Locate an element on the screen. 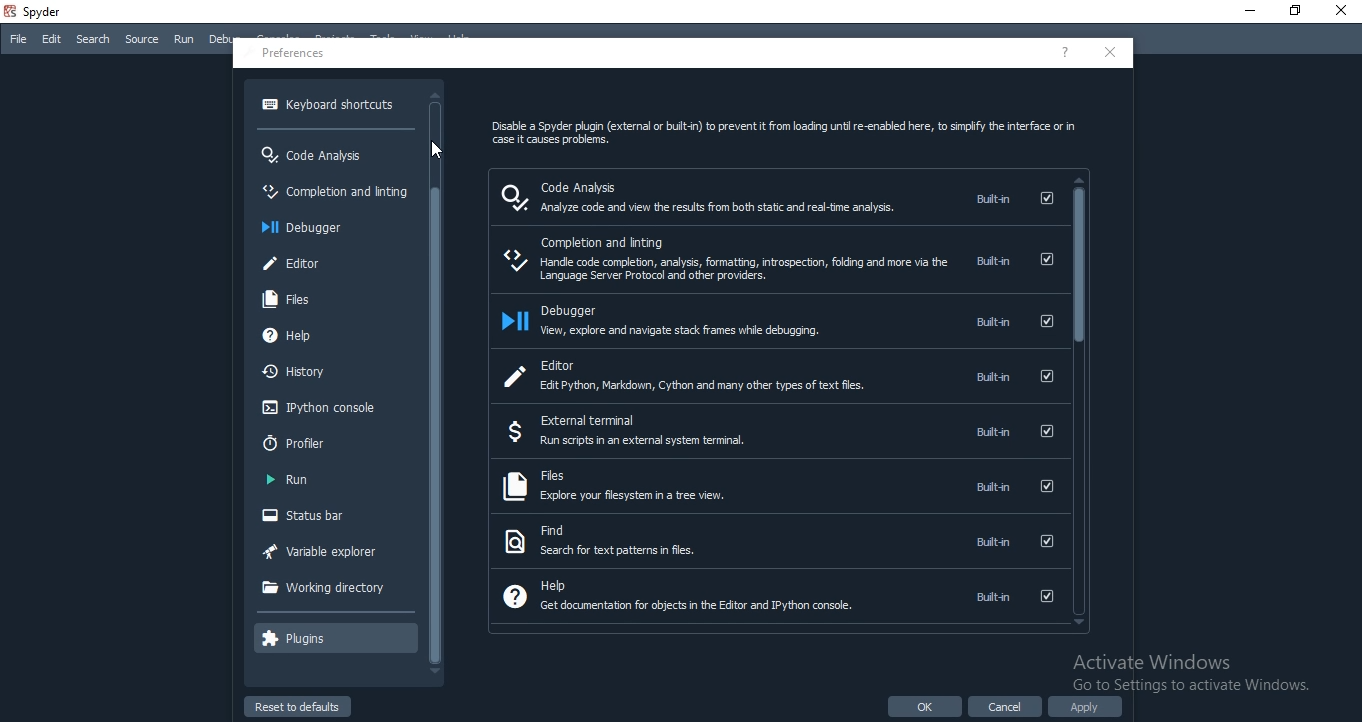 This screenshot has width=1362, height=722. Profiler is located at coordinates (297, 442).